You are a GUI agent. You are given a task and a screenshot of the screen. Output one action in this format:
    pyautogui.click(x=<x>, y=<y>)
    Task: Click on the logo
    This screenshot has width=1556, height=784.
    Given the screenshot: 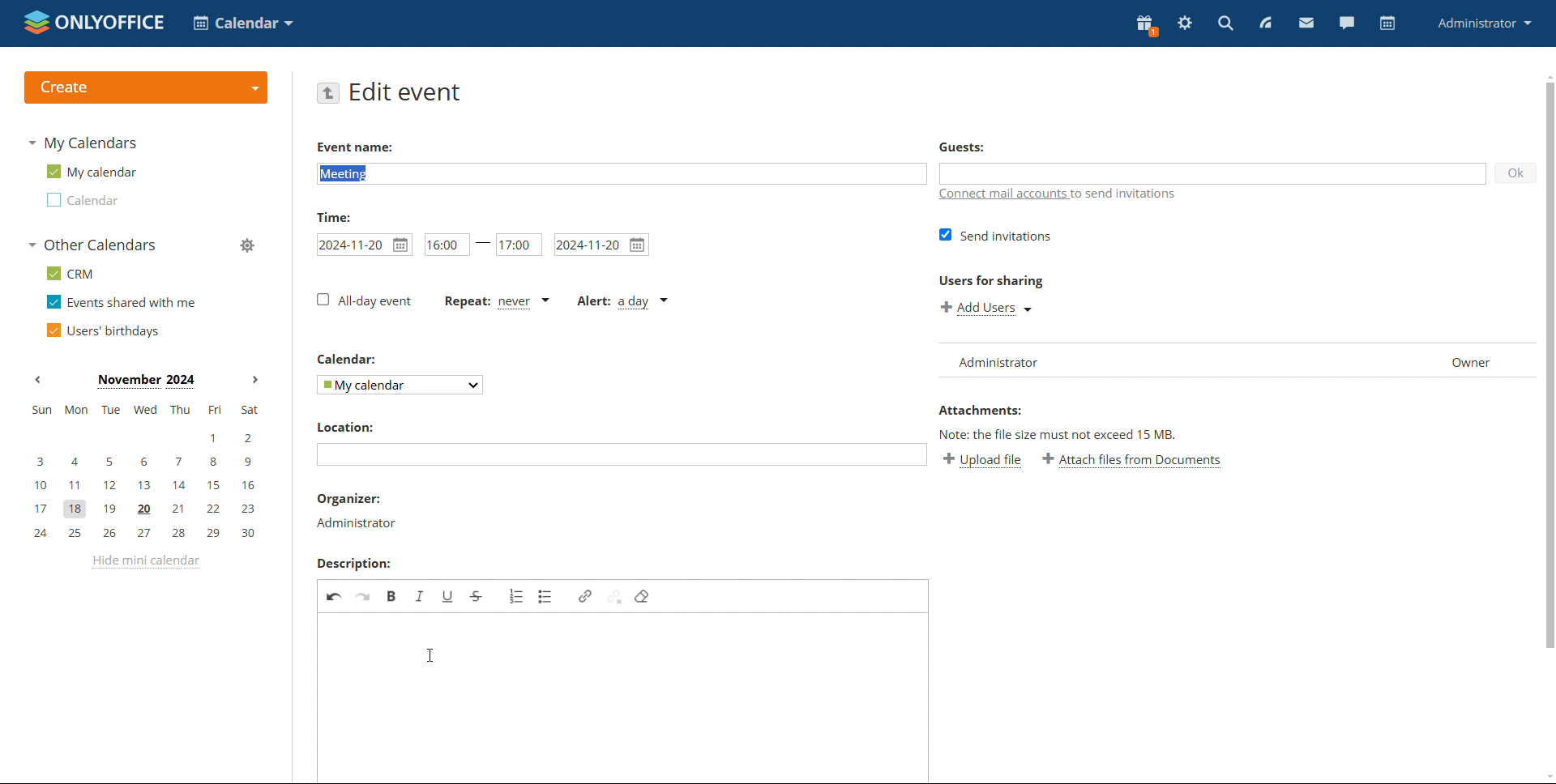 What is the action you would take?
    pyautogui.click(x=95, y=23)
    